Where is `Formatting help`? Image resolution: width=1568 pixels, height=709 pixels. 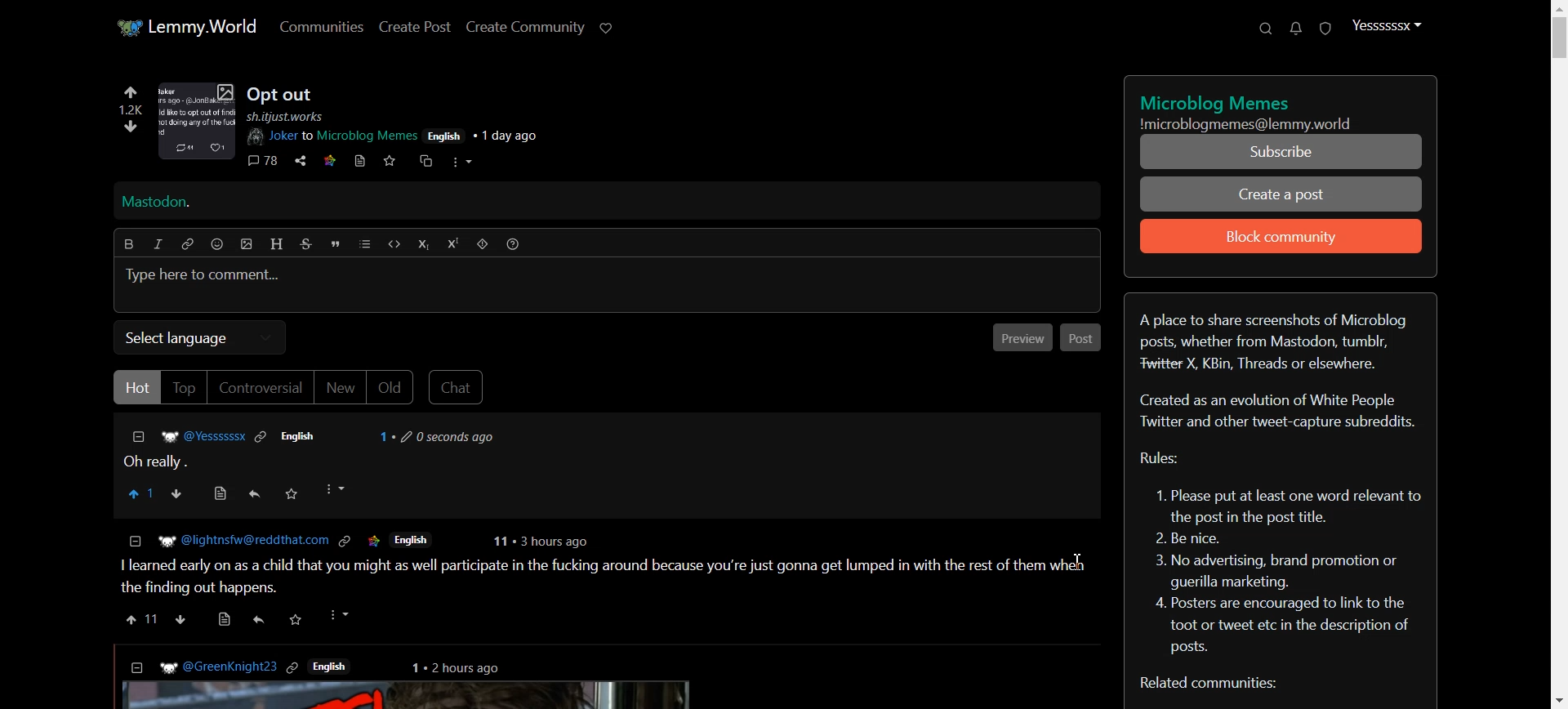
Formatting help is located at coordinates (514, 243).